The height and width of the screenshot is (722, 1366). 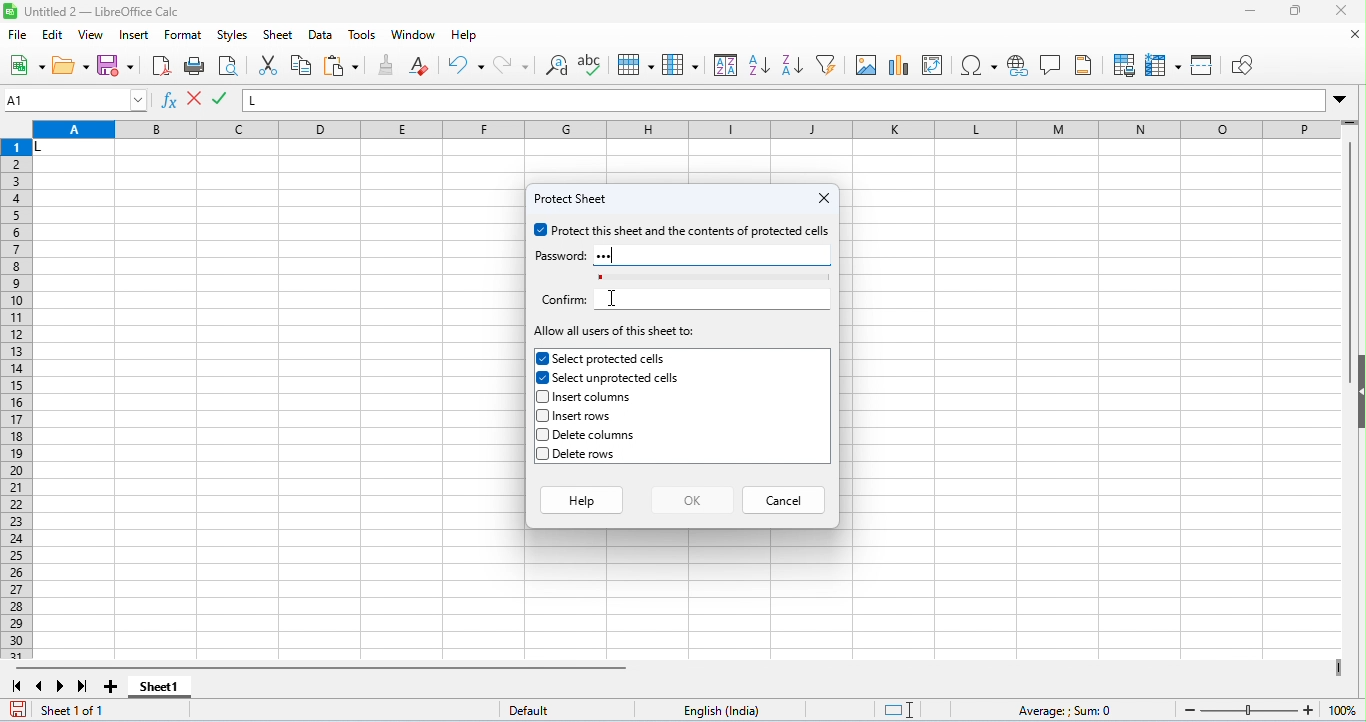 I want to click on reject, so click(x=221, y=99).